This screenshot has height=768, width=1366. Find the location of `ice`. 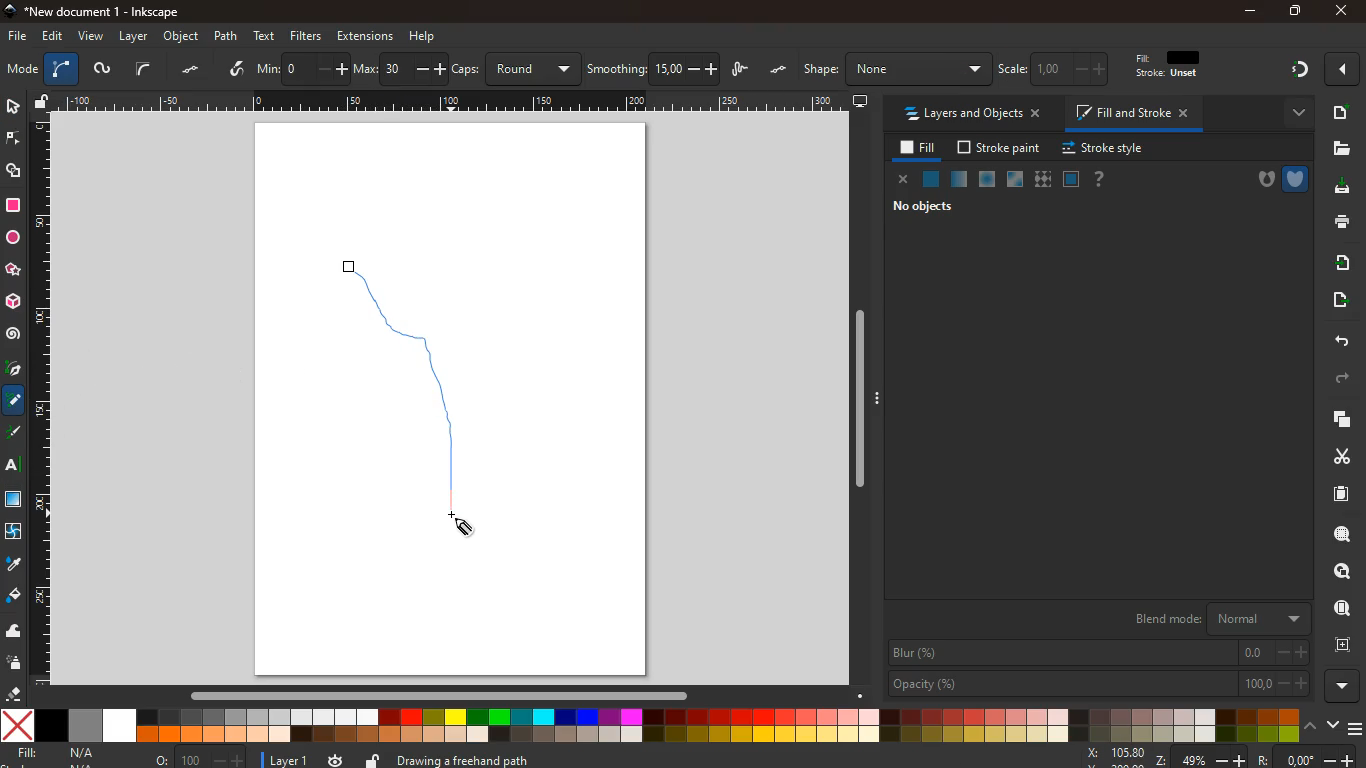

ice is located at coordinates (989, 180).